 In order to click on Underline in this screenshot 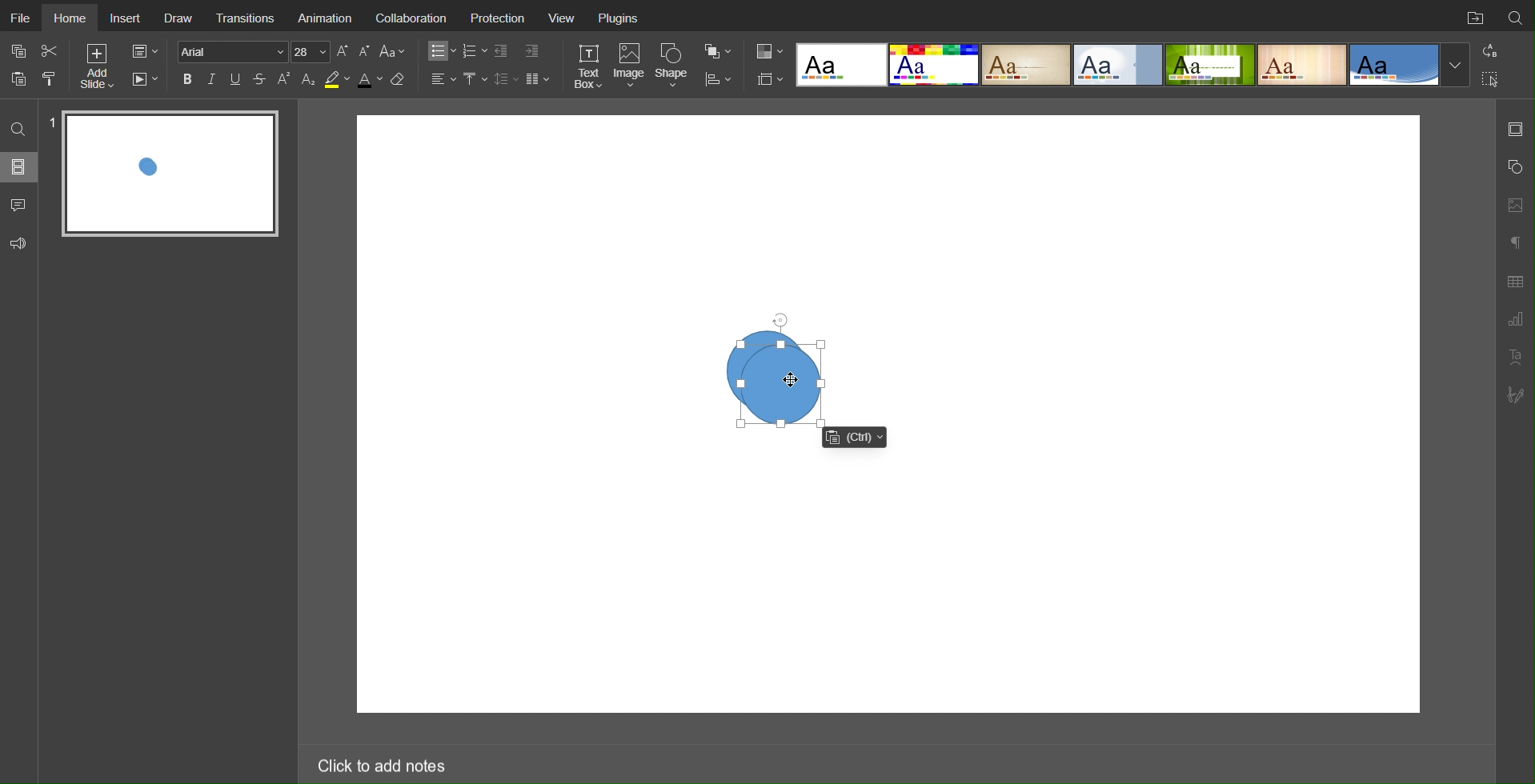, I will do `click(237, 79)`.